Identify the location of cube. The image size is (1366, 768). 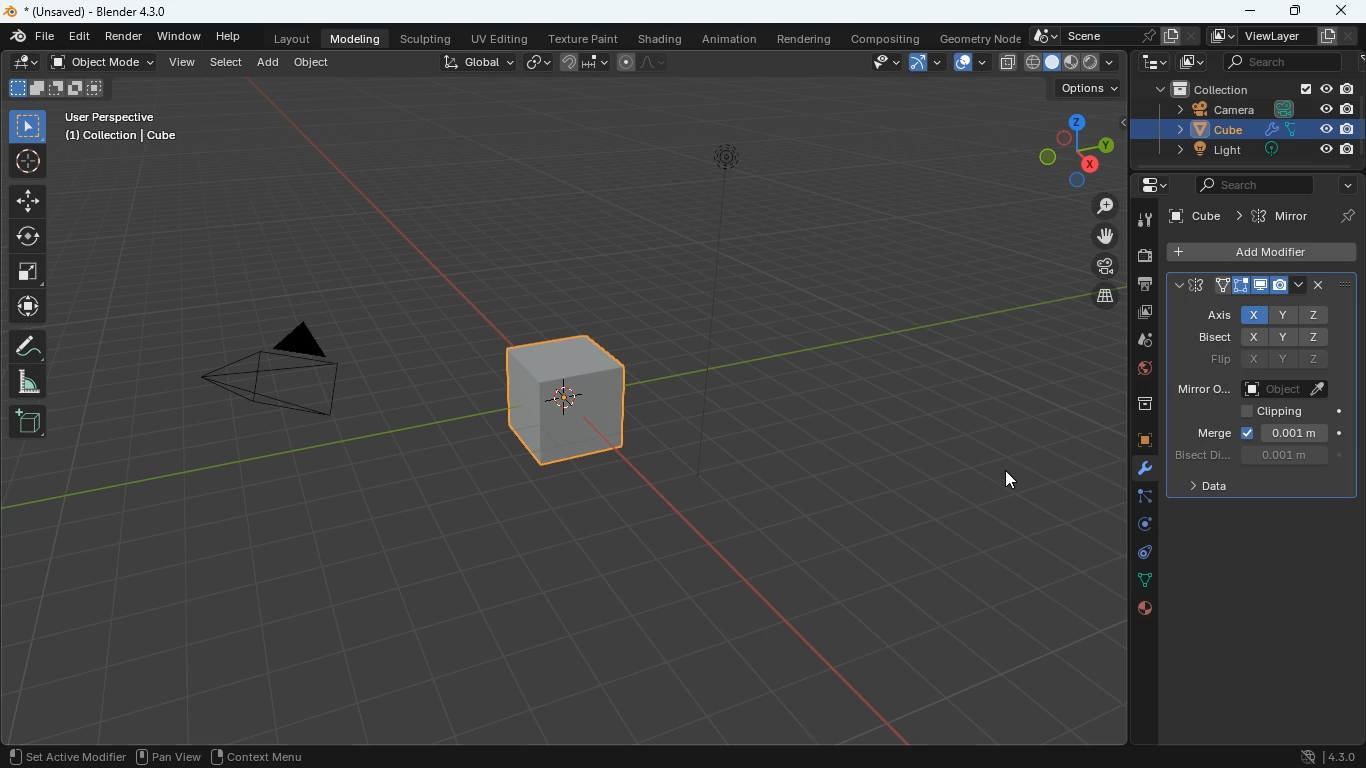
(1265, 216).